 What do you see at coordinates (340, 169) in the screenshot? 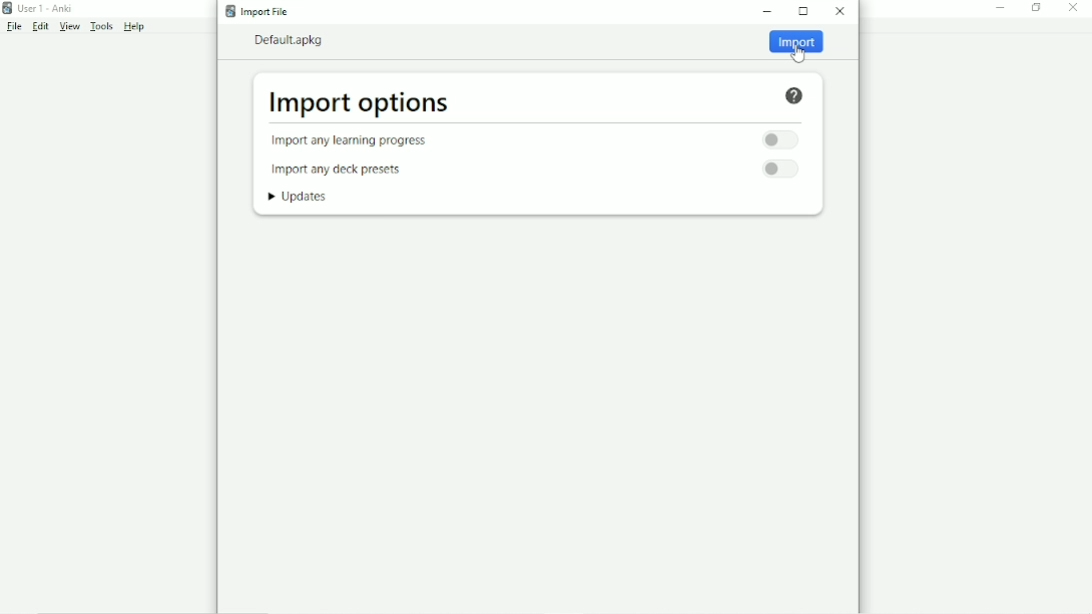
I see `Import any deck presets` at bounding box center [340, 169].